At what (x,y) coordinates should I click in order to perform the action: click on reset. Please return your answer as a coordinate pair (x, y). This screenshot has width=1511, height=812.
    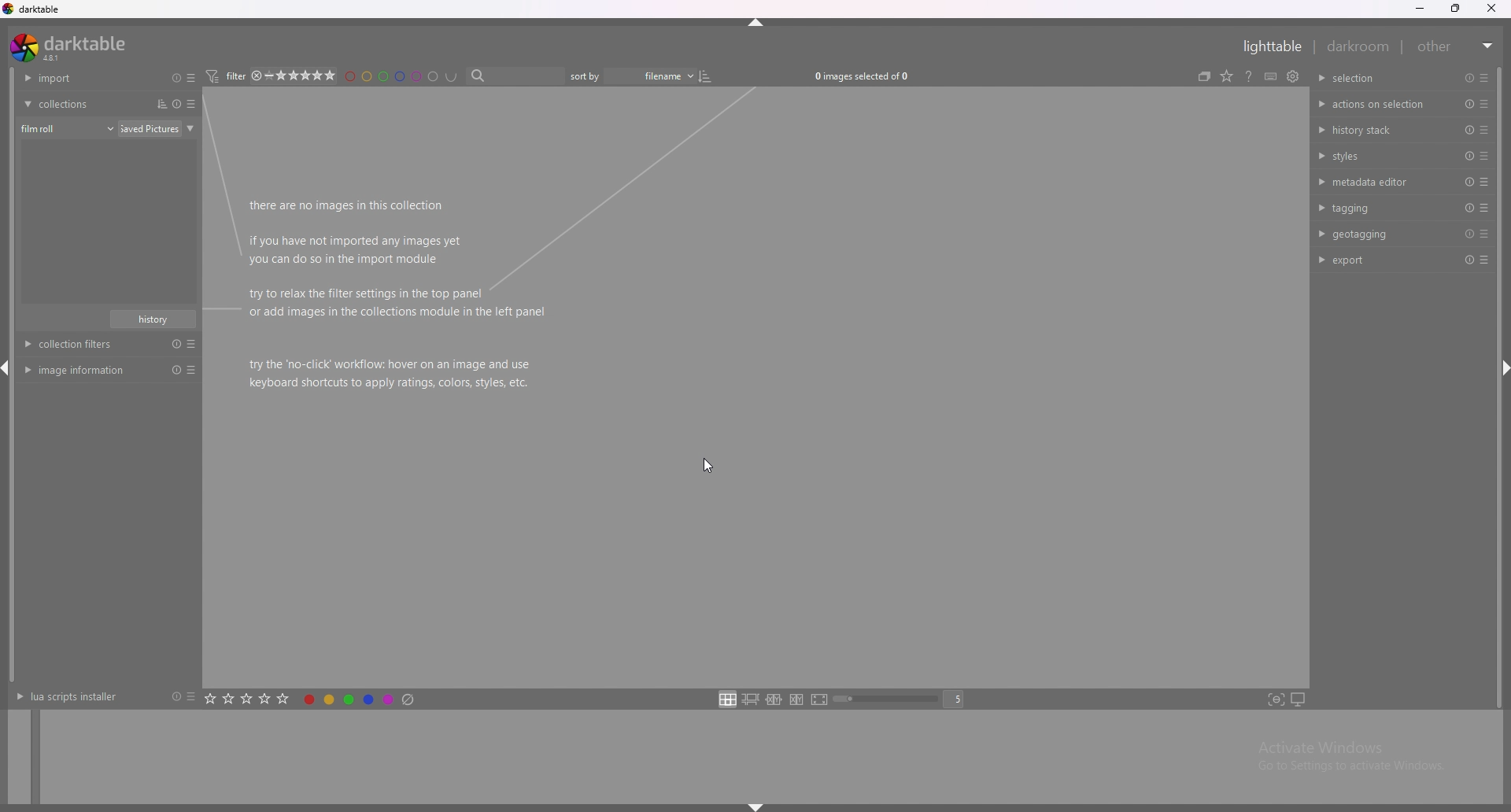
    Looking at the image, I should click on (1469, 234).